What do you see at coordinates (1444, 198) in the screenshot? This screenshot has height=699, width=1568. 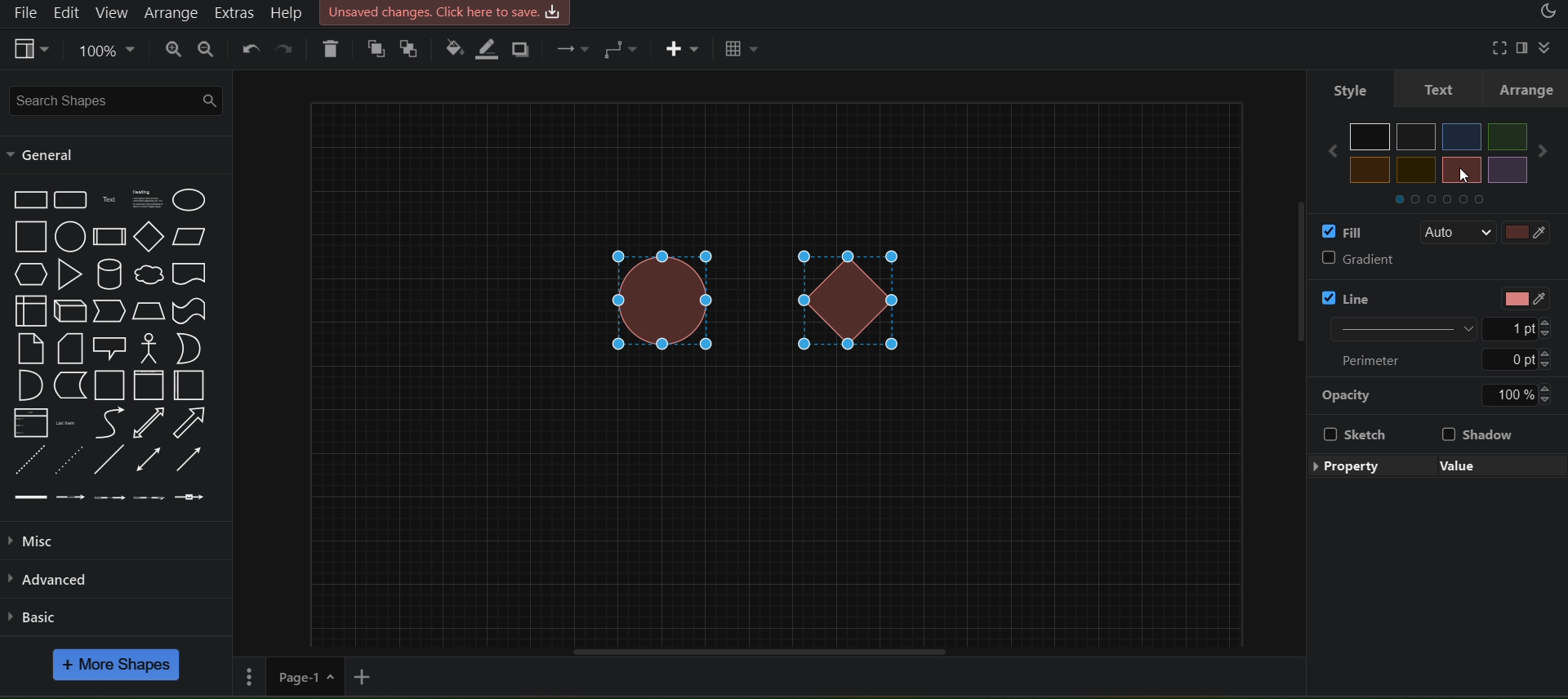 I see `` at bounding box center [1444, 198].